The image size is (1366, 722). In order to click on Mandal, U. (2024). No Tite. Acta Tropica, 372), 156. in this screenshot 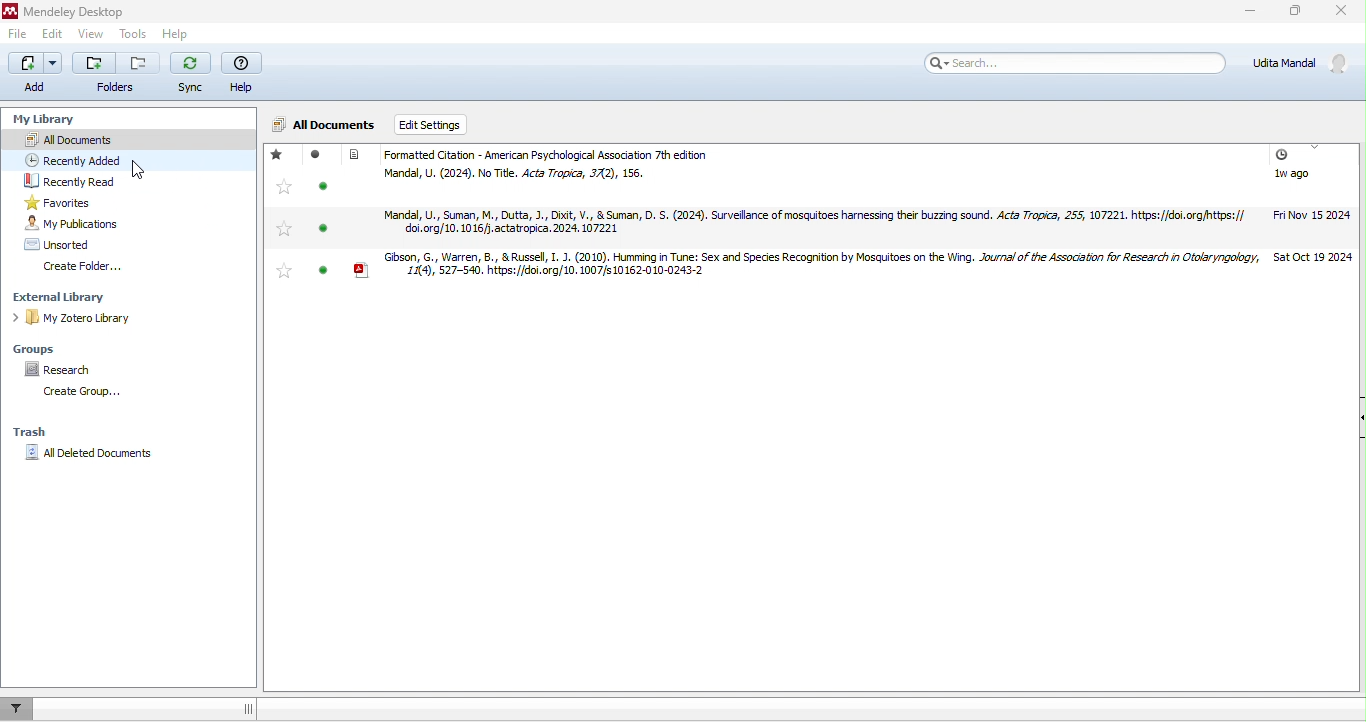, I will do `click(518, 175)`.